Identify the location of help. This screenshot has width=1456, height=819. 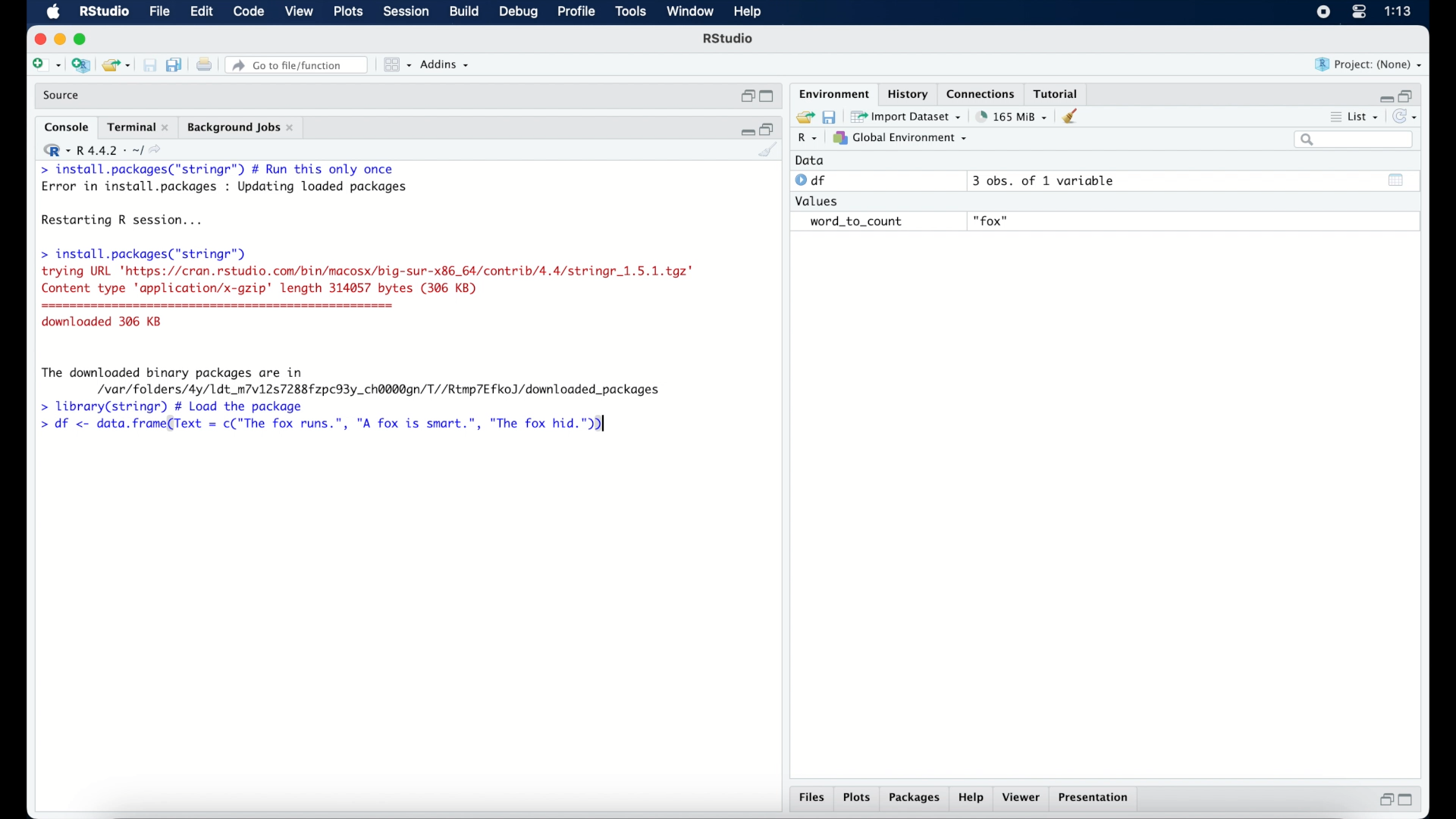
(973, 799).